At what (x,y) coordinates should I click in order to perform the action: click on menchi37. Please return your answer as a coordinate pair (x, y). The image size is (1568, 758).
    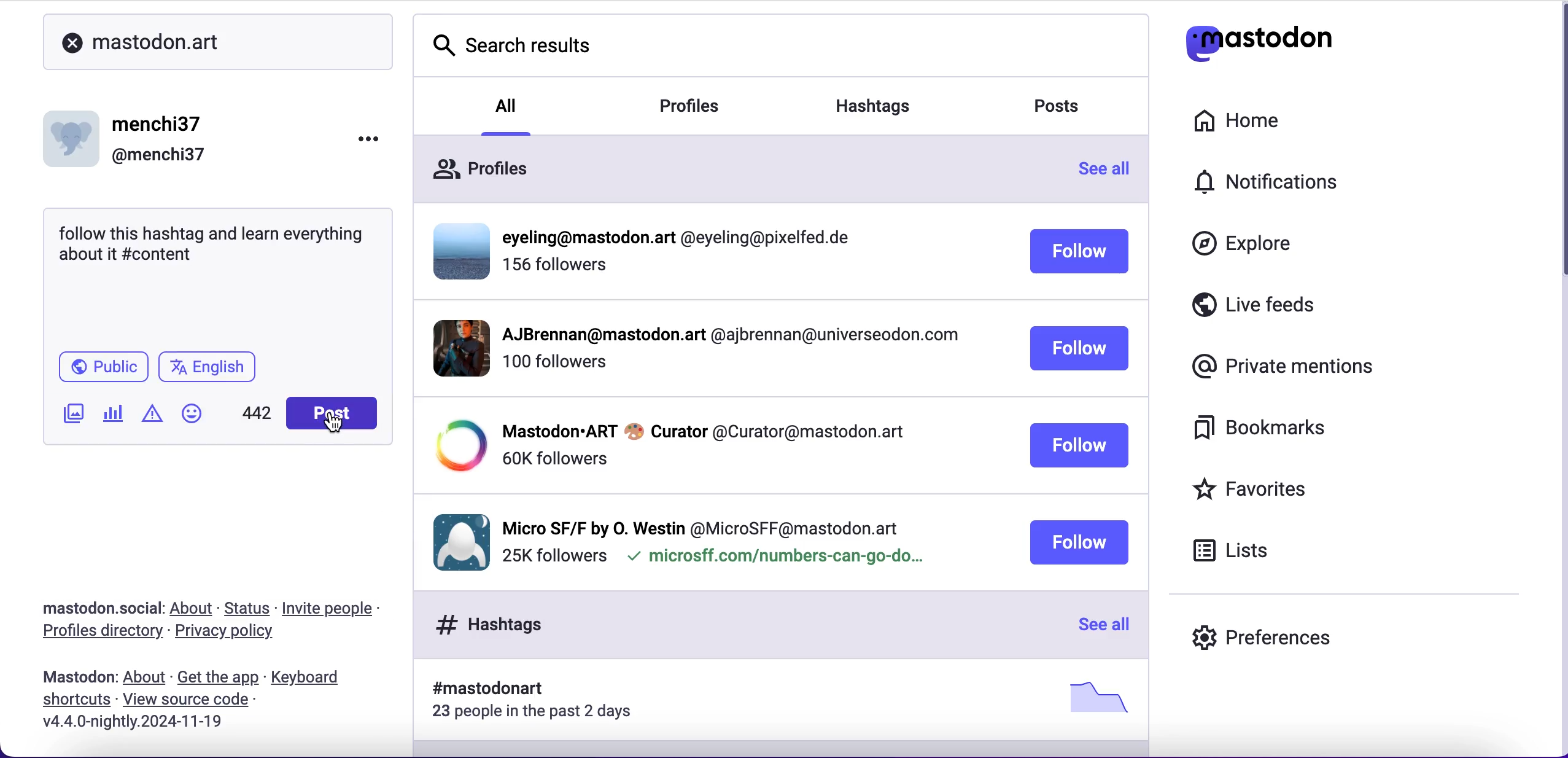
    Looking at the image, I should click on (159, 125).